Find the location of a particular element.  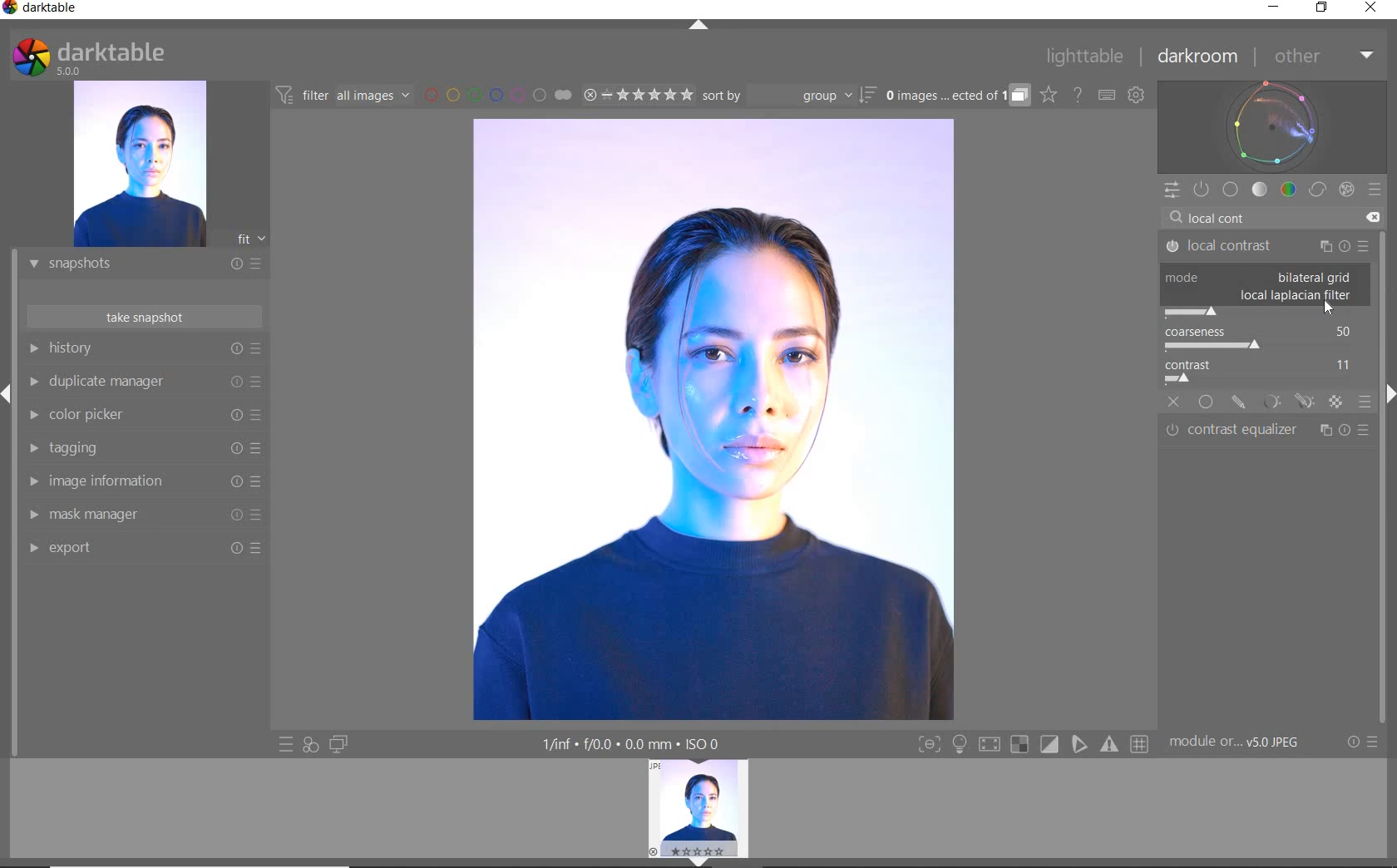

RANGE RATING OF SELECTED IMAGES is located at coordinates (637, 94).